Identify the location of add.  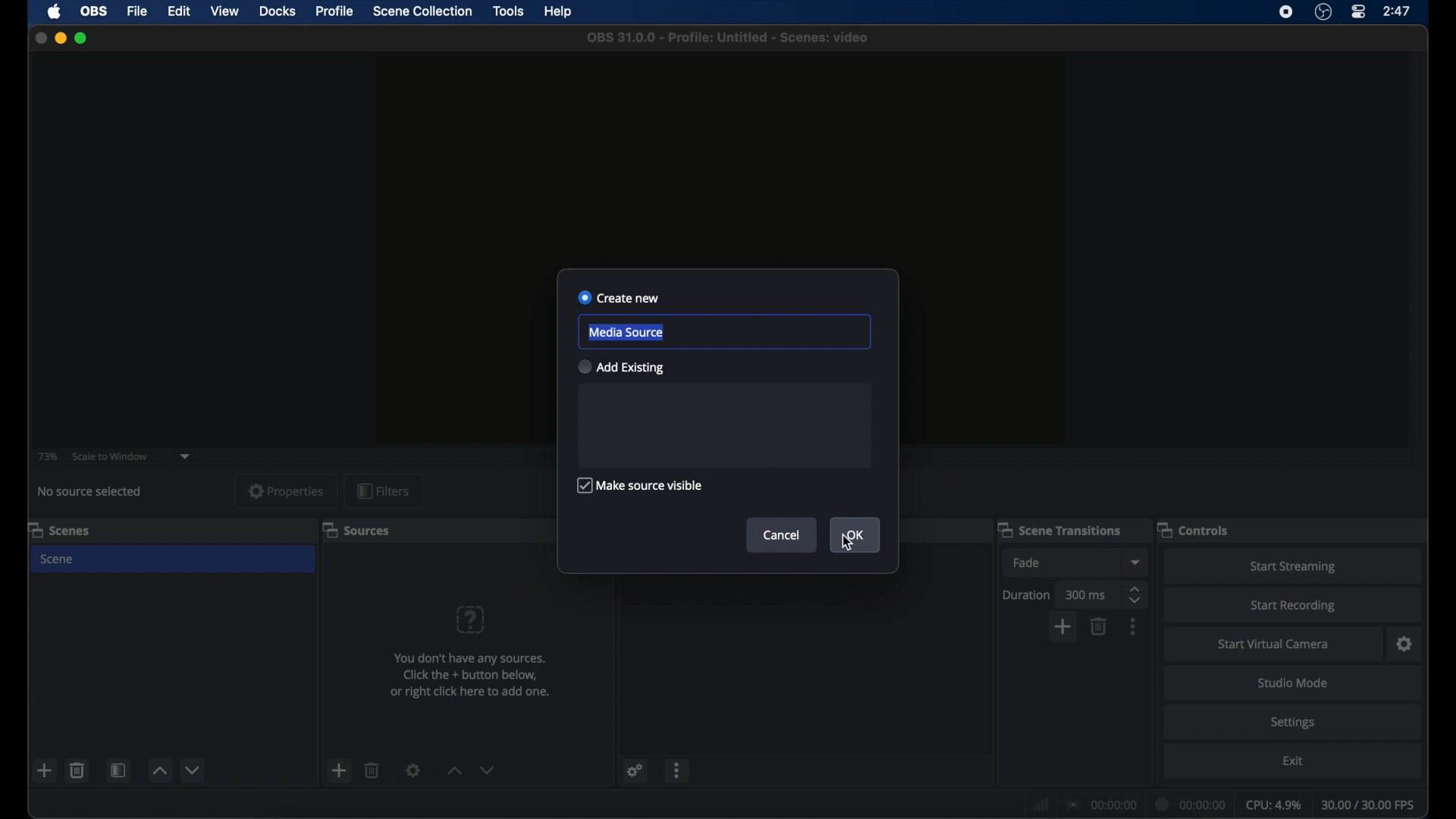
(1064, 626).